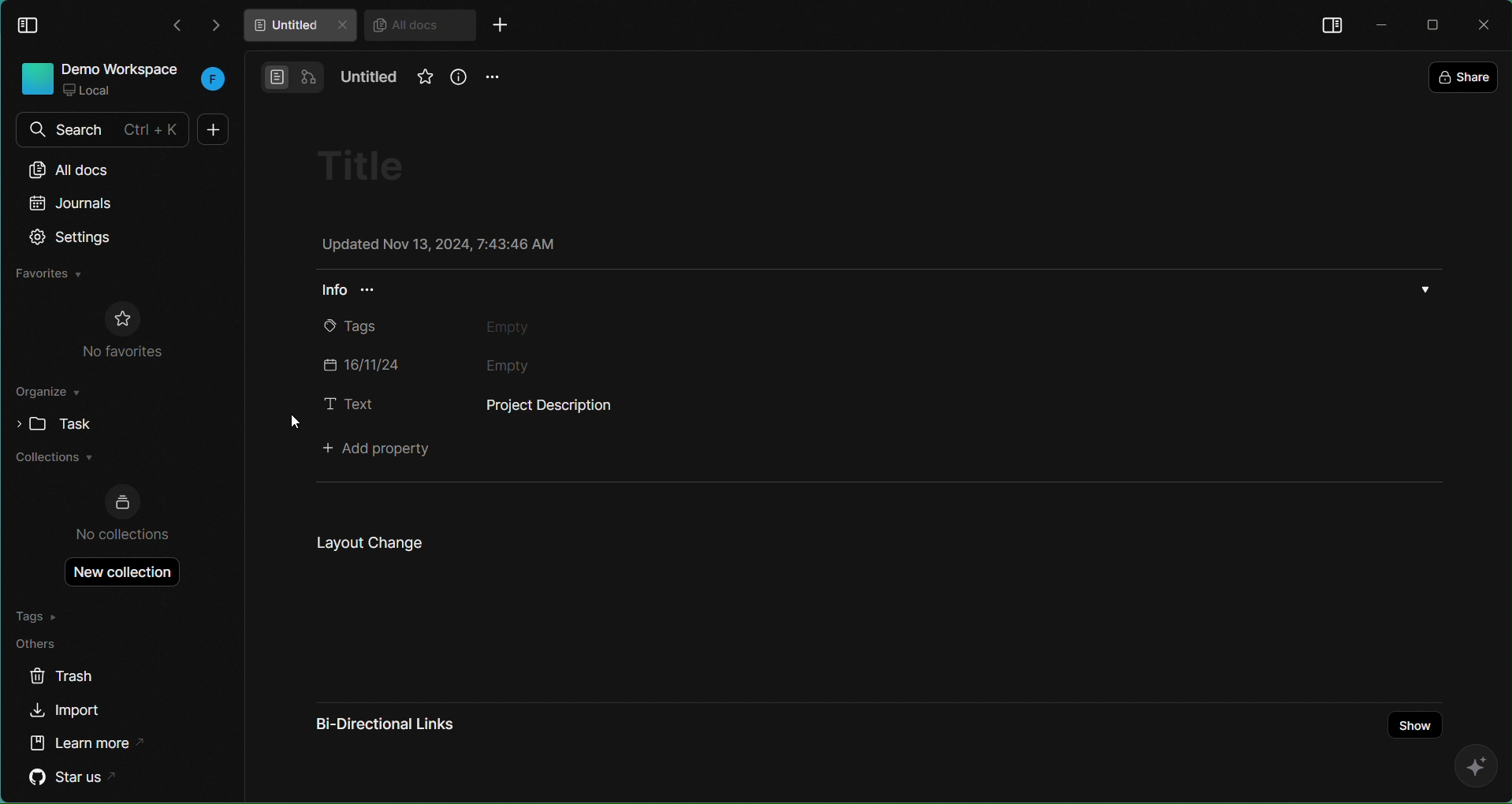 This screenshot has height=804, width=1512. What do you see at coordinates (123, 331) in the screenshot?
I see `no favorites` at bounding box center [123, 331].